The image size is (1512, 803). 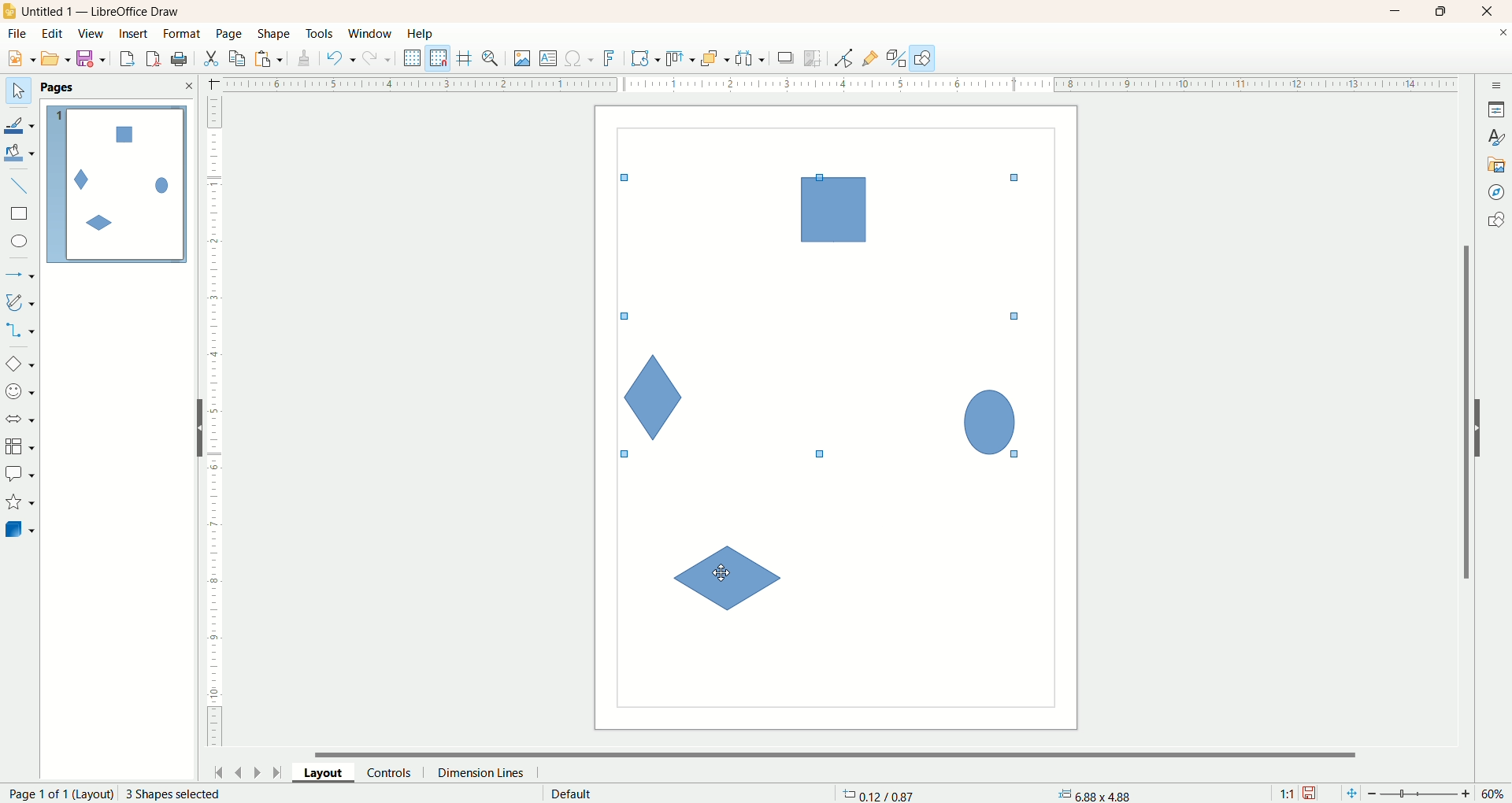 I want to click on gallery, so click(x=1497, y=163).